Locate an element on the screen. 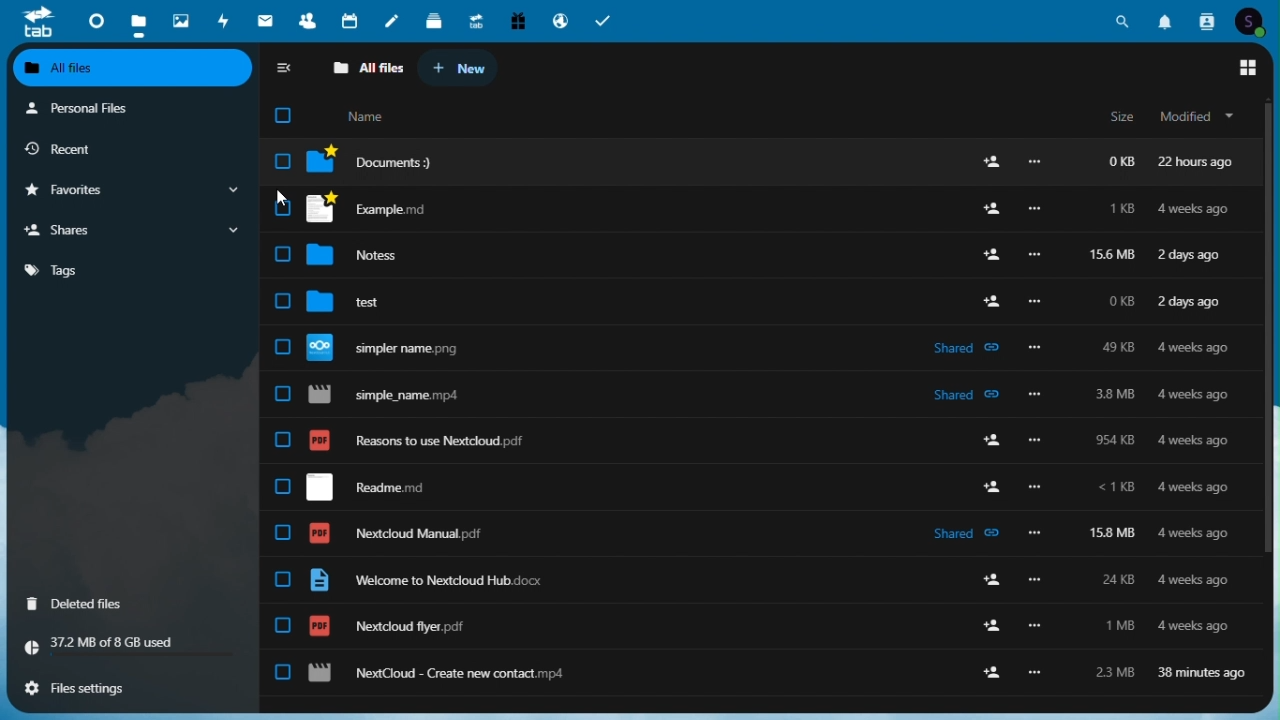  new is located at coordinates (460, 69).